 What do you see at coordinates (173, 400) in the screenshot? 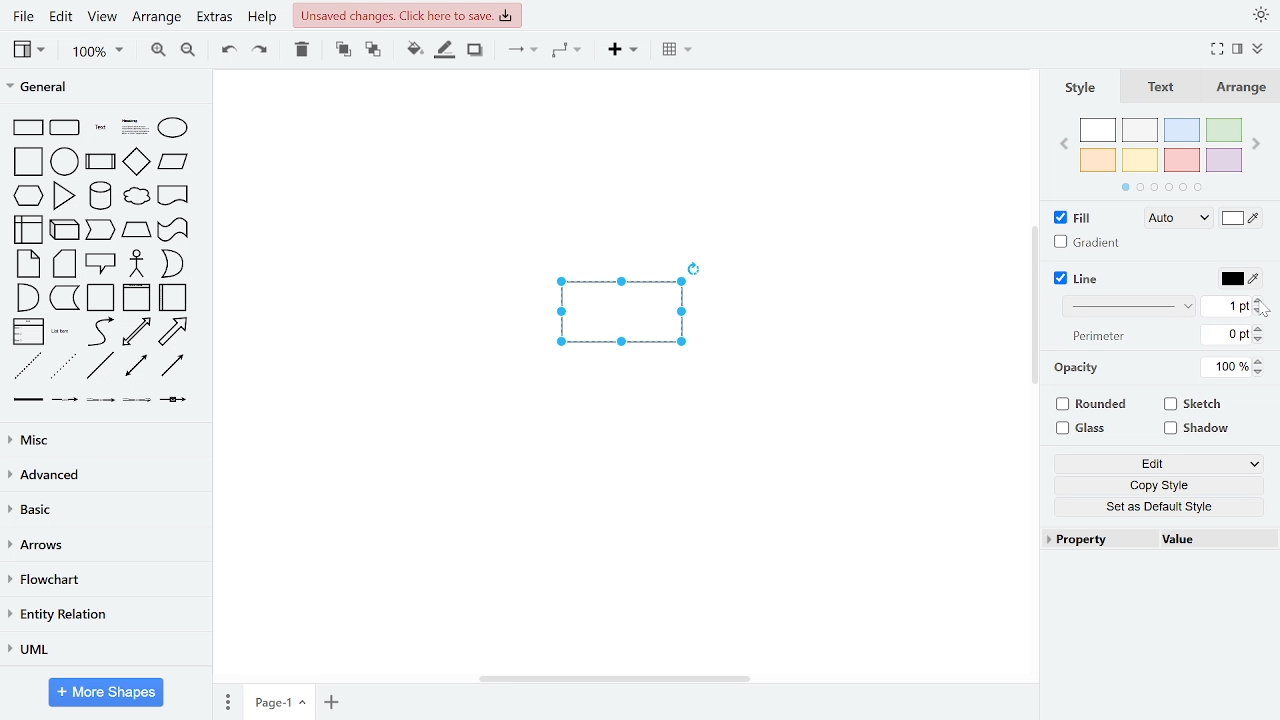
I see `general shapes` at bounding box center [173, 400].